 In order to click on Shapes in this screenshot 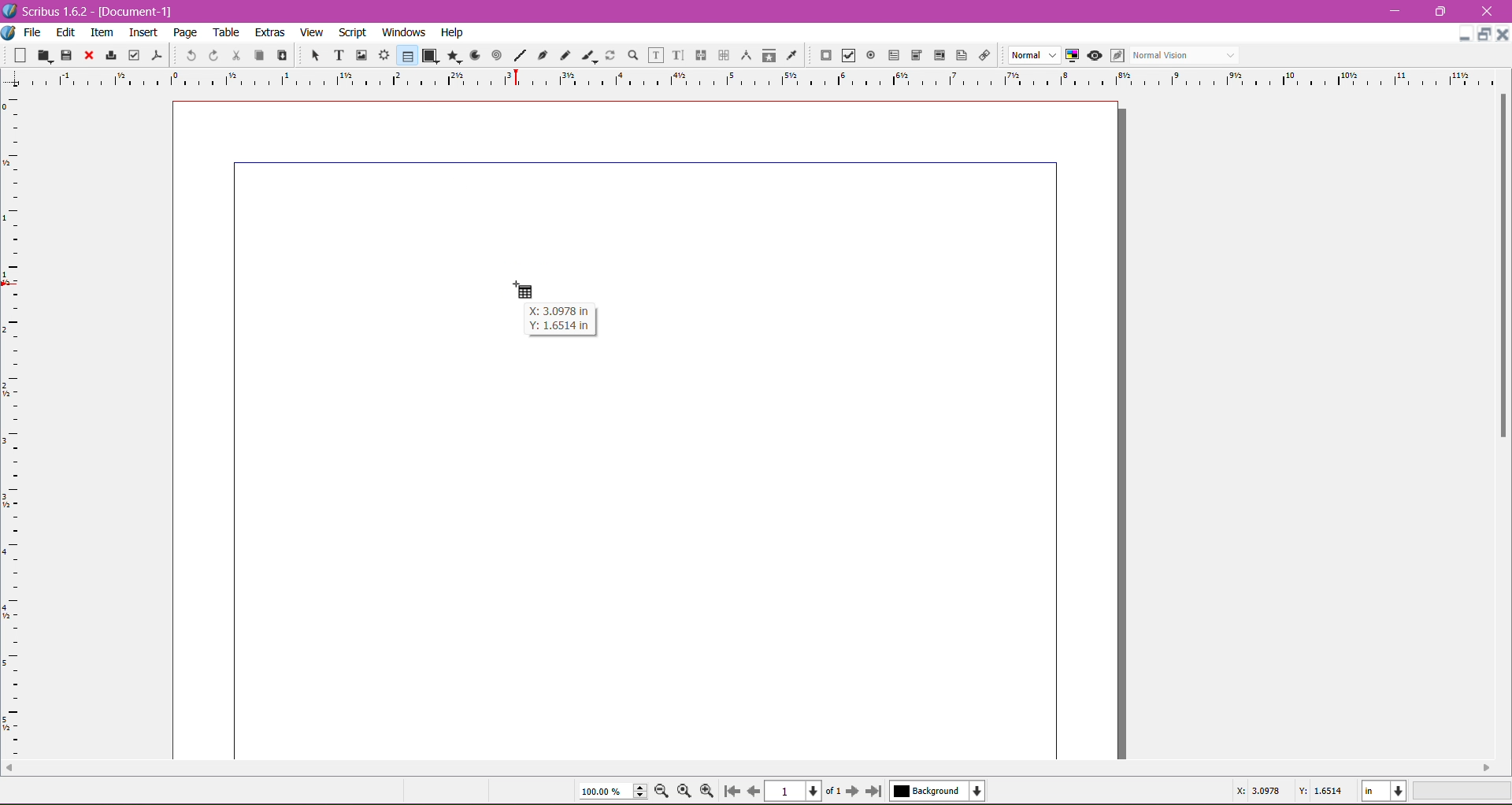, I will do `click(429, 55)`.